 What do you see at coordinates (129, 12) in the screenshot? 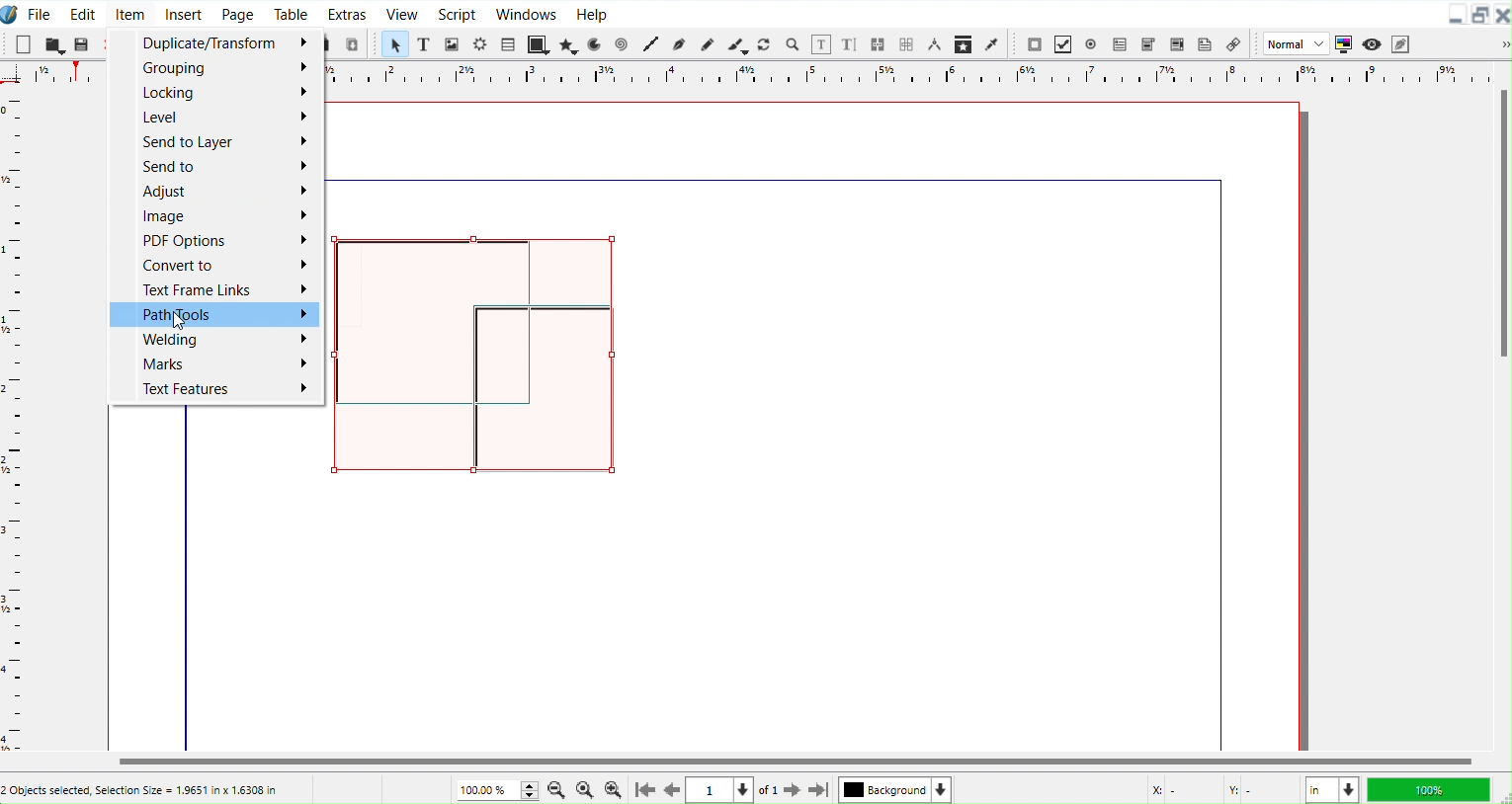
I see `Item` at bounding box center [129, 12].